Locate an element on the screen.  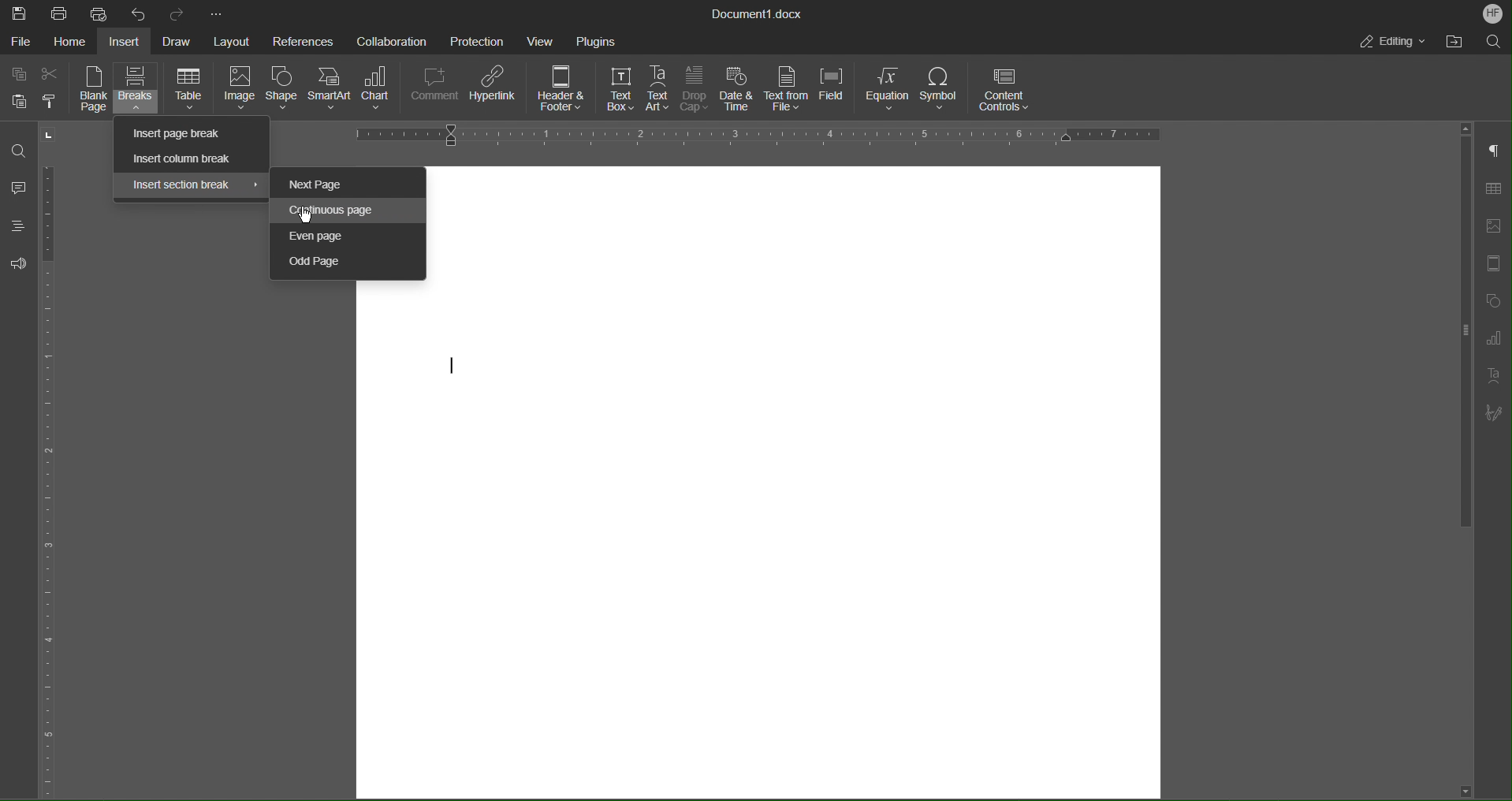
Image is located at coordinates (239, 90).